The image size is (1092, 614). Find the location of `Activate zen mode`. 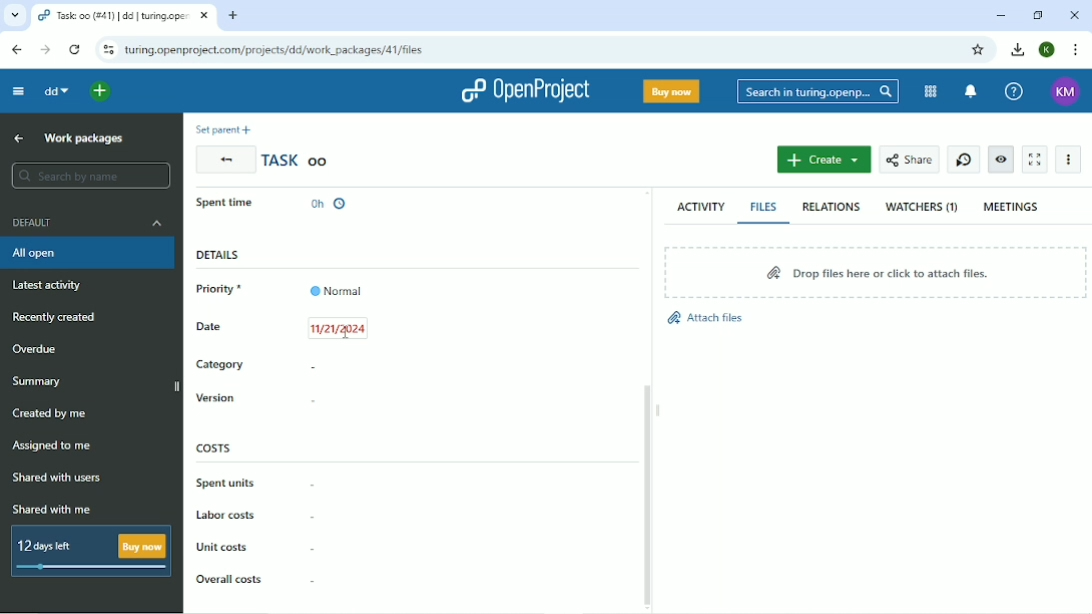

Activate zen mode is located at coordinates (1034, 160).